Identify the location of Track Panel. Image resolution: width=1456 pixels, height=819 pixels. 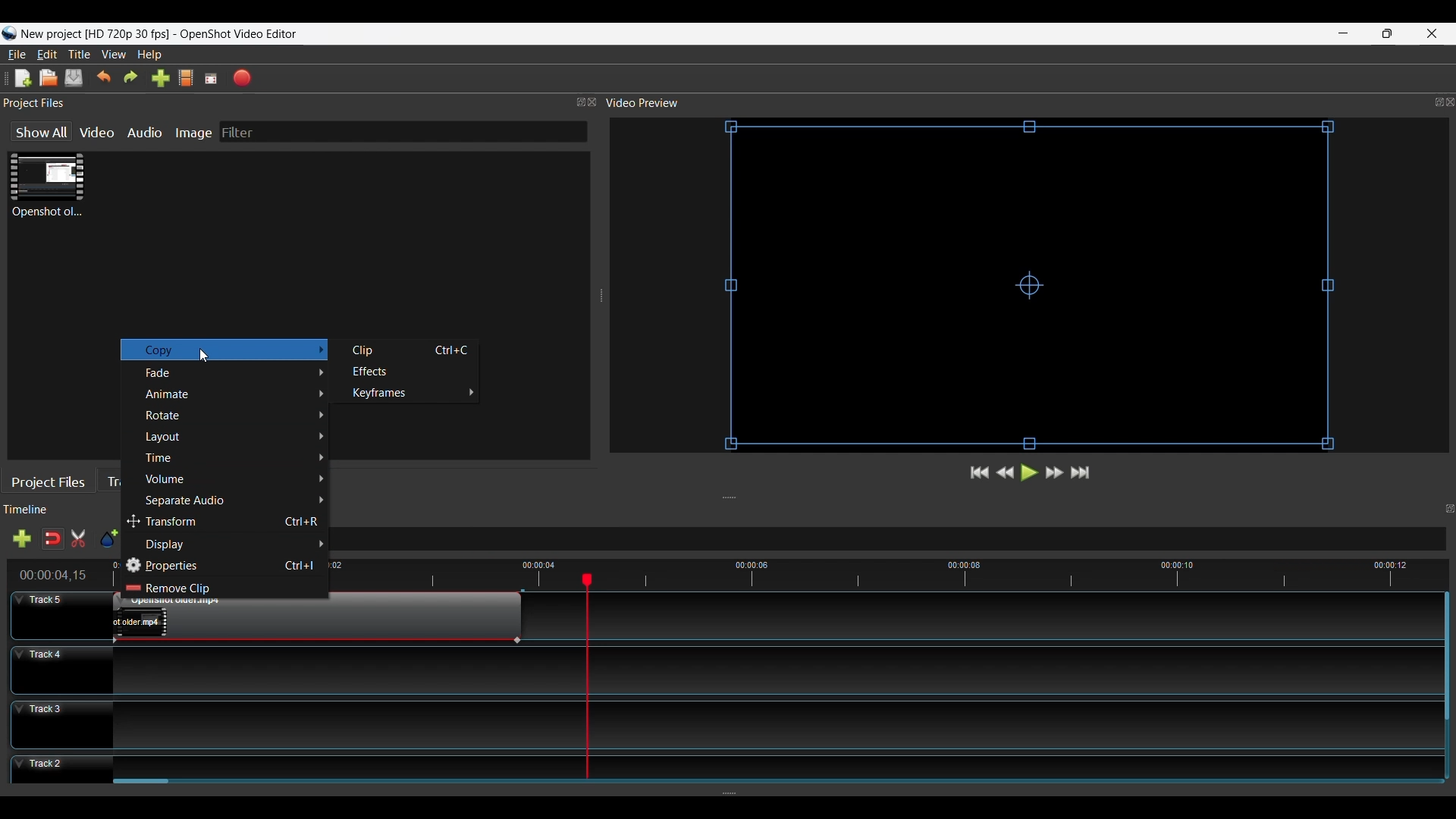
(770, 669).